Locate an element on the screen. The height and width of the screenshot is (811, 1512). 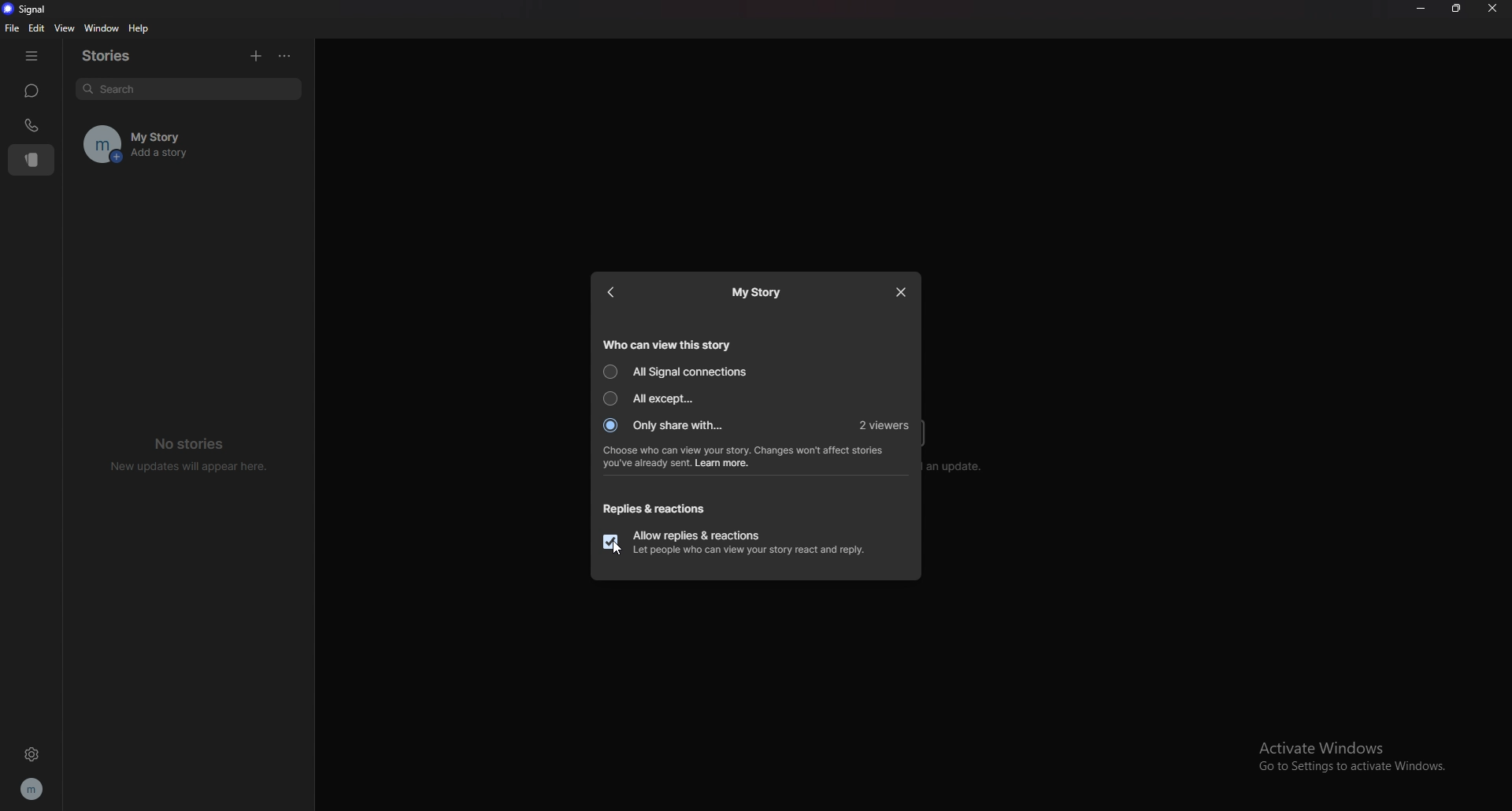
cursor is located at coordinates (617, 547).